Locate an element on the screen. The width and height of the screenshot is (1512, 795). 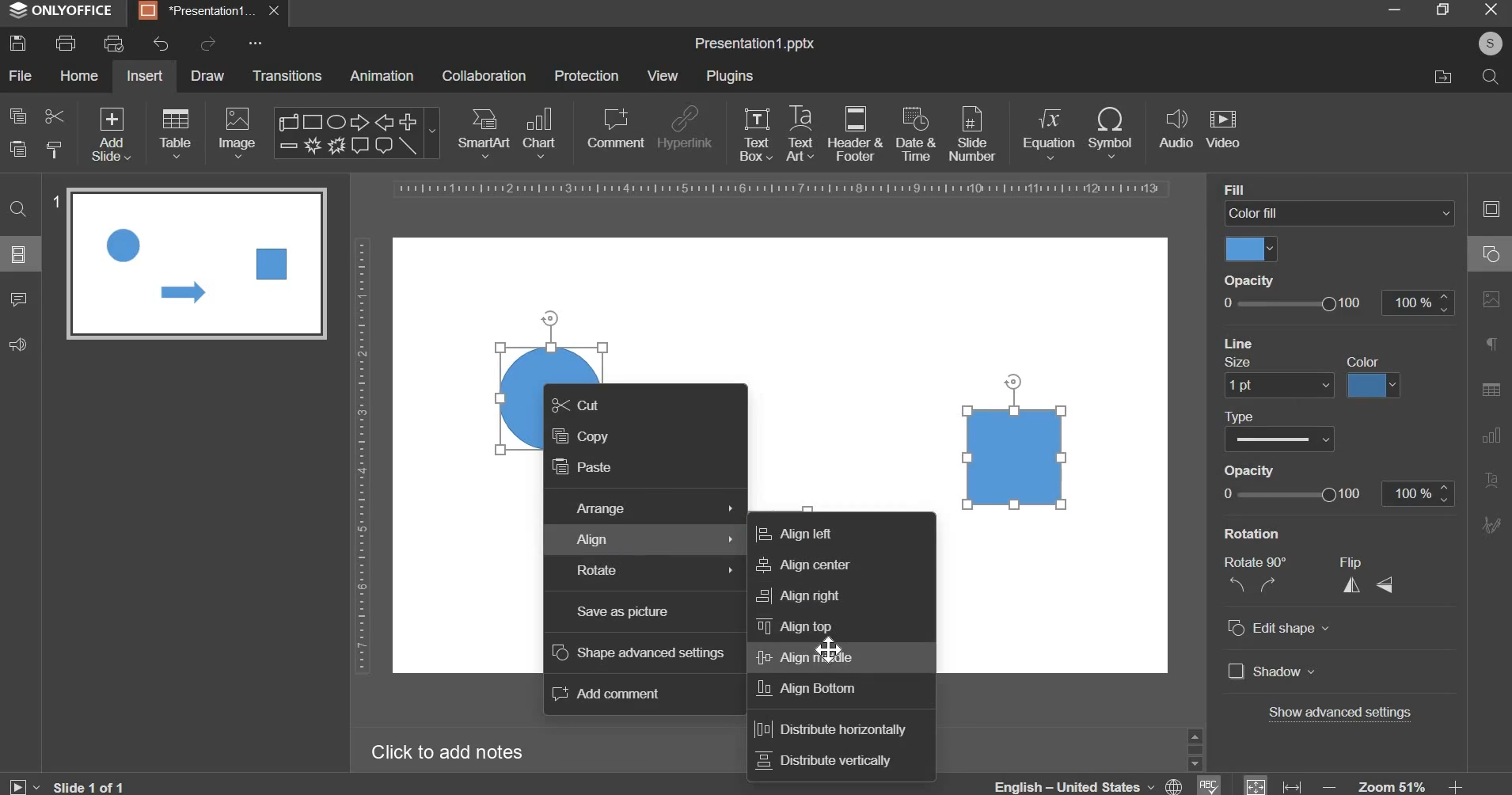
color fill is located at coordinates (1249, 249).